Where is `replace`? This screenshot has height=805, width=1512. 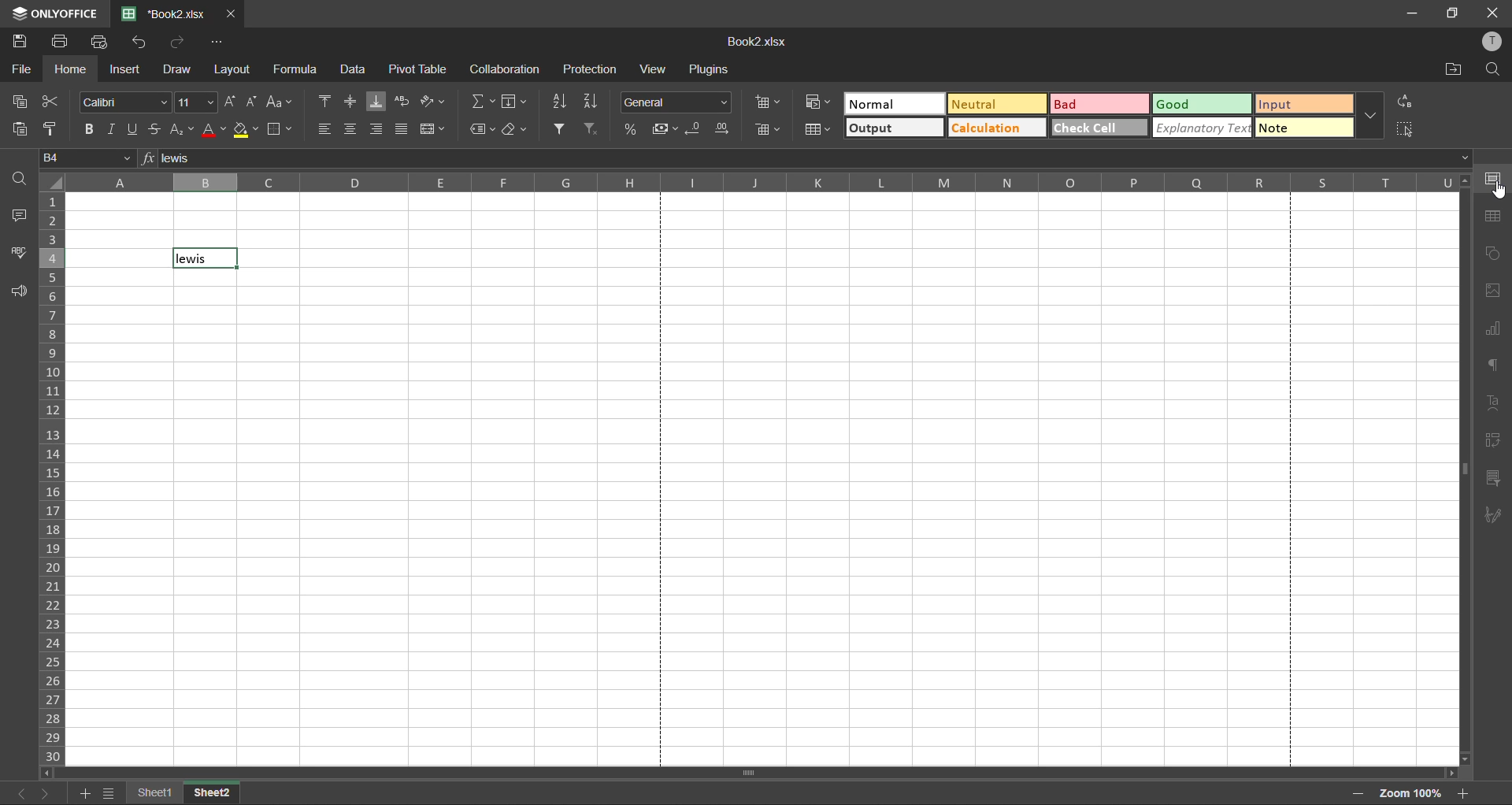 replace is located at coordinates (1406, 106).